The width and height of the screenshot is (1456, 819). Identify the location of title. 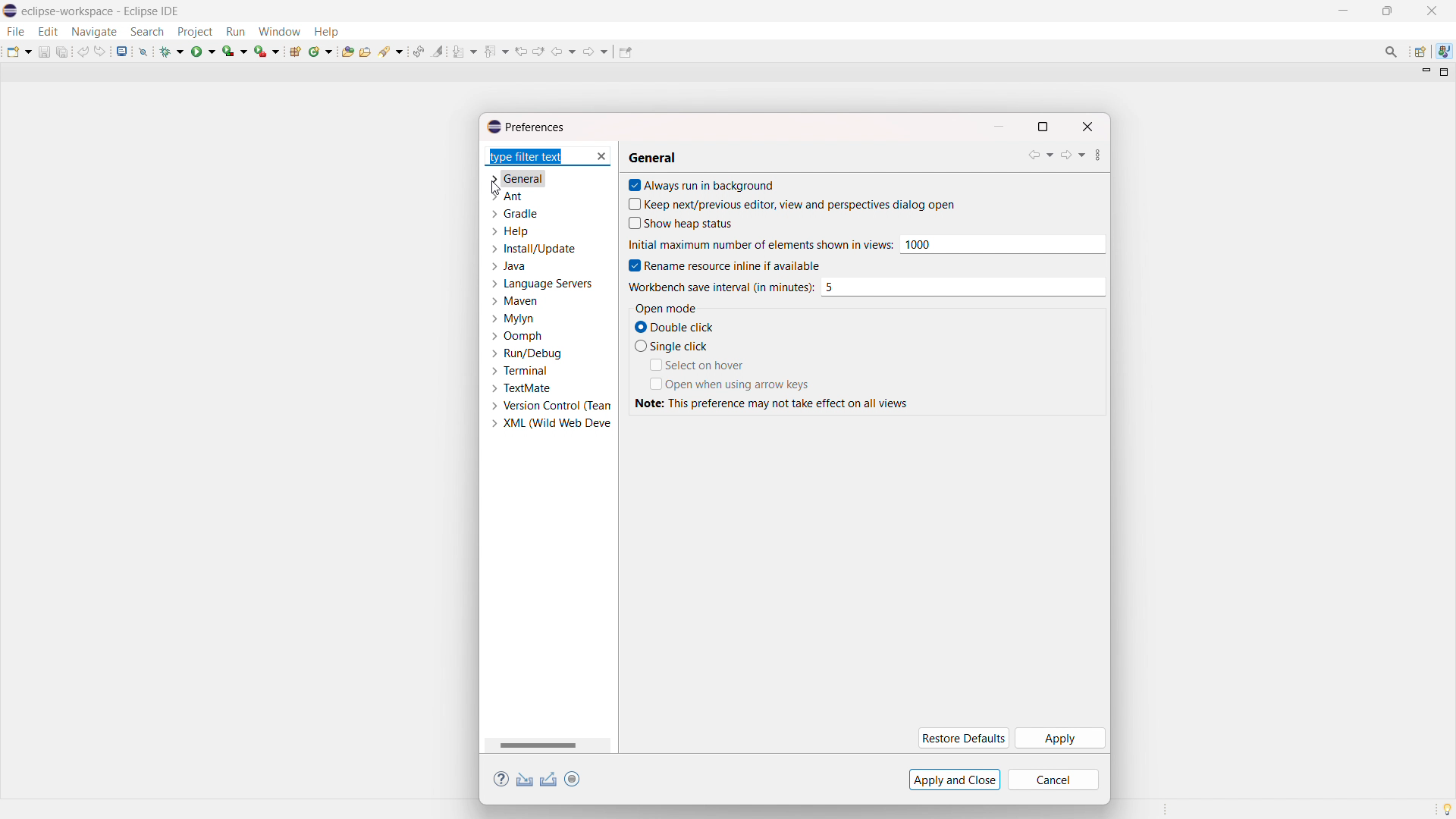
(102, 11).